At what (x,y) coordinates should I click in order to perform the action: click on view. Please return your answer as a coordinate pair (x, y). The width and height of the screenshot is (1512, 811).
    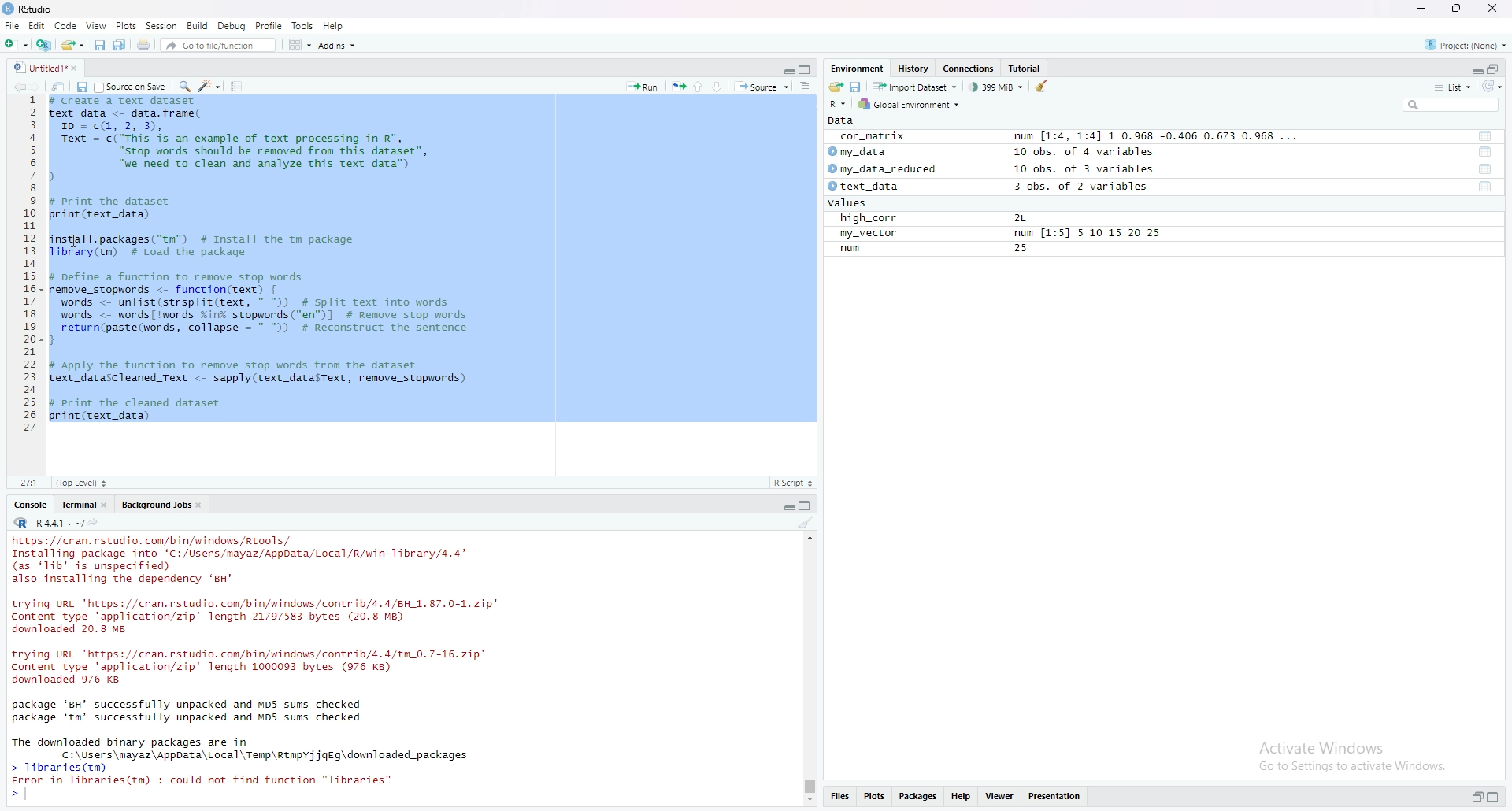
    Looking at the image, I should click on (97, 26).